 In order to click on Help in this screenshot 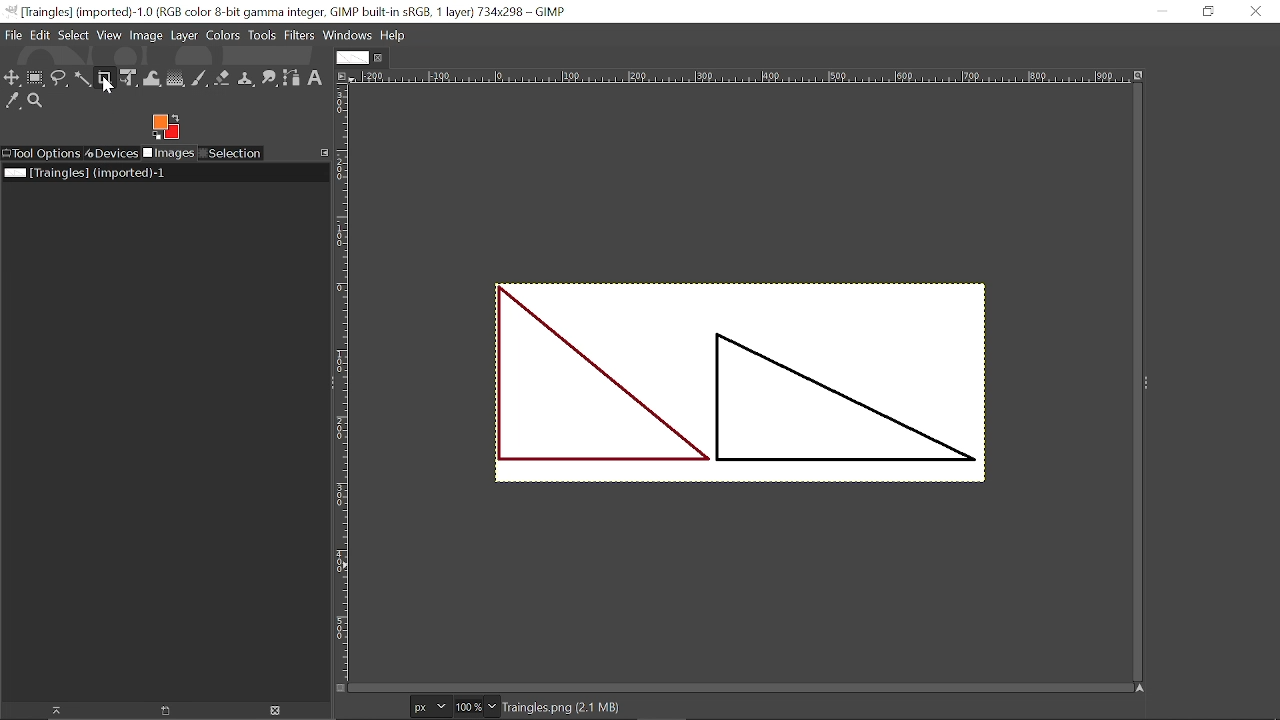, I will do `click(392, 35)`.